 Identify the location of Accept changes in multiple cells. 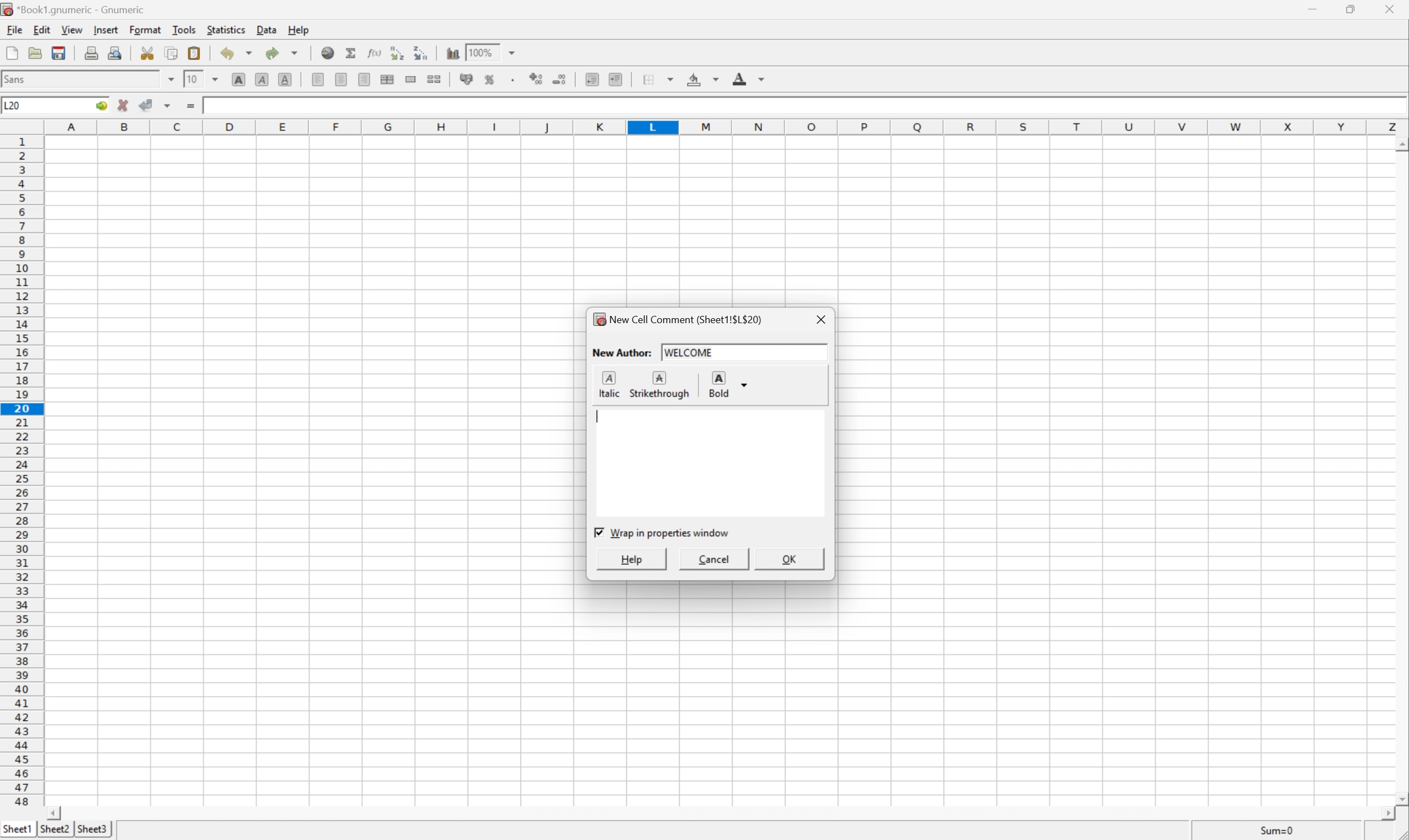
(168, 106).